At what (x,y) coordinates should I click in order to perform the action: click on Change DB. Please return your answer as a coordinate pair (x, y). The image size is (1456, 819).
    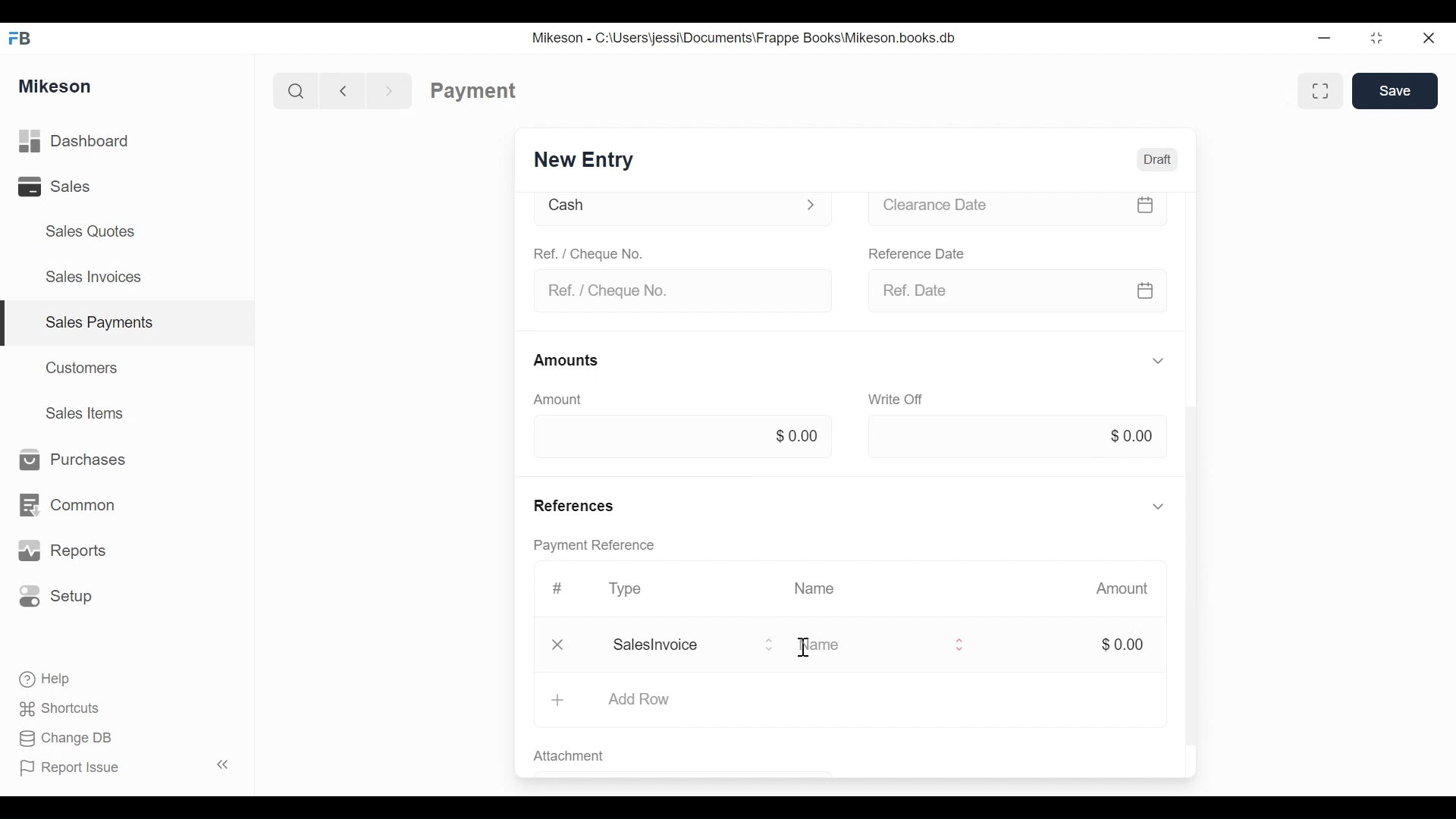
    Looking at the image, I should click on (70, 739).